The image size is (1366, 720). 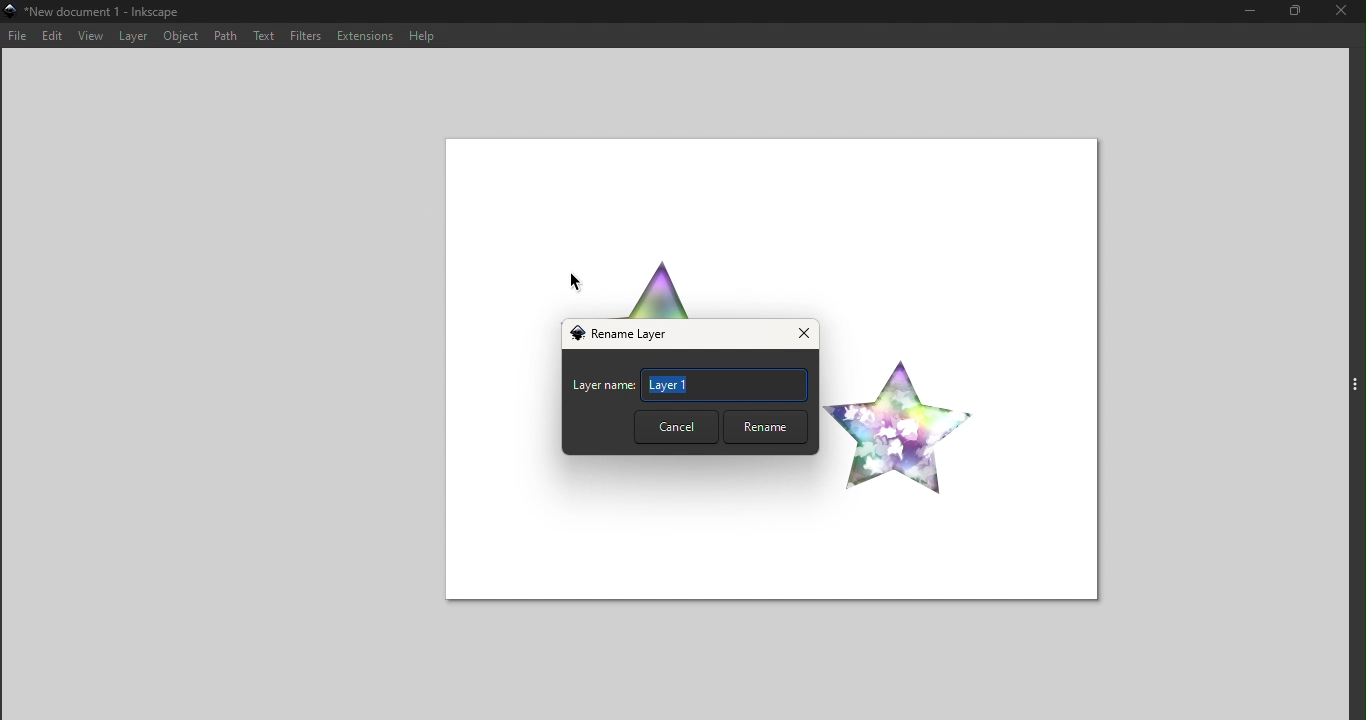 I want to click on Close, so click(x=801, y=335).